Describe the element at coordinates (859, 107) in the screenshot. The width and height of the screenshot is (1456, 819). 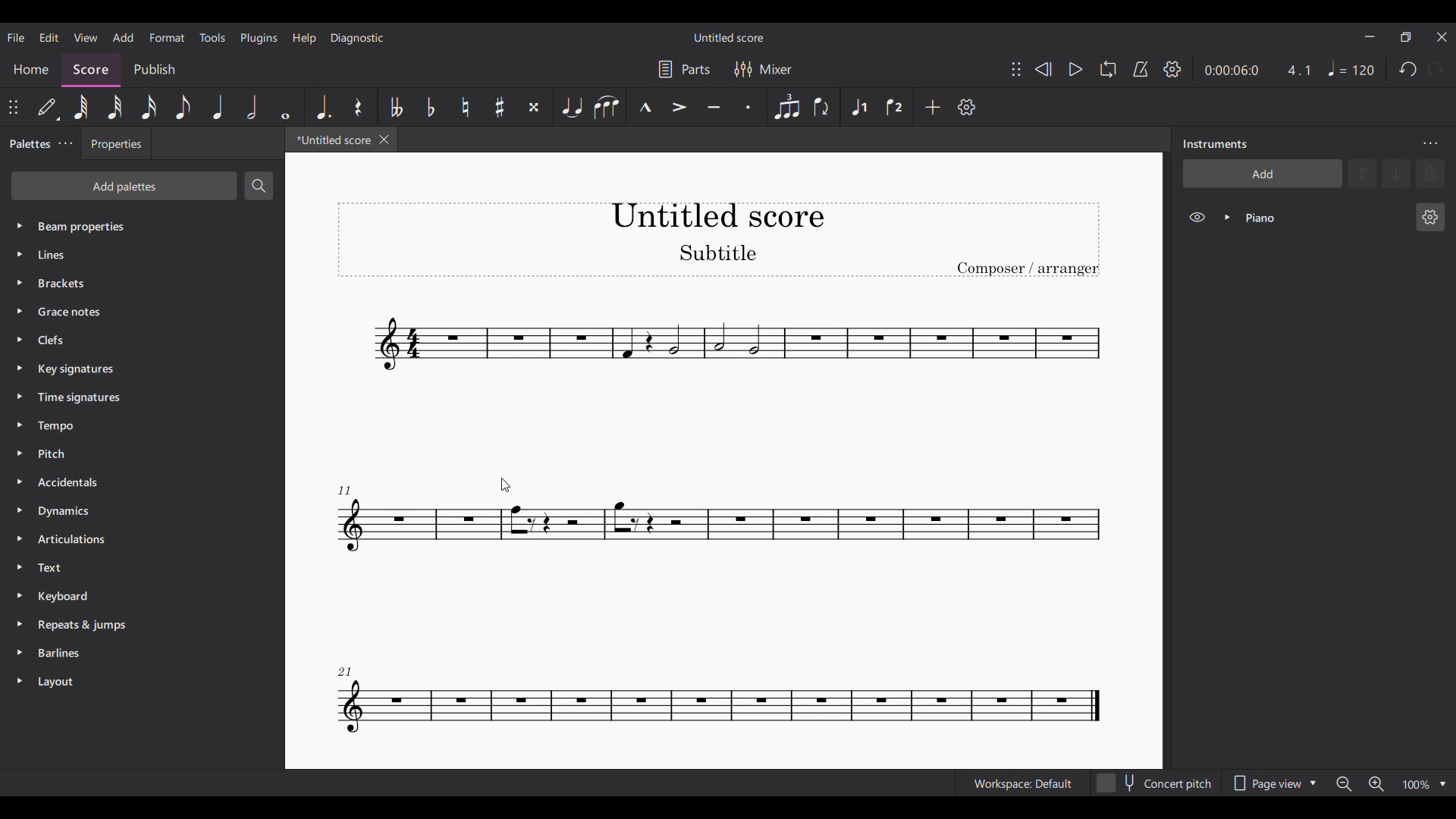
I see `Voice 1` at that location.